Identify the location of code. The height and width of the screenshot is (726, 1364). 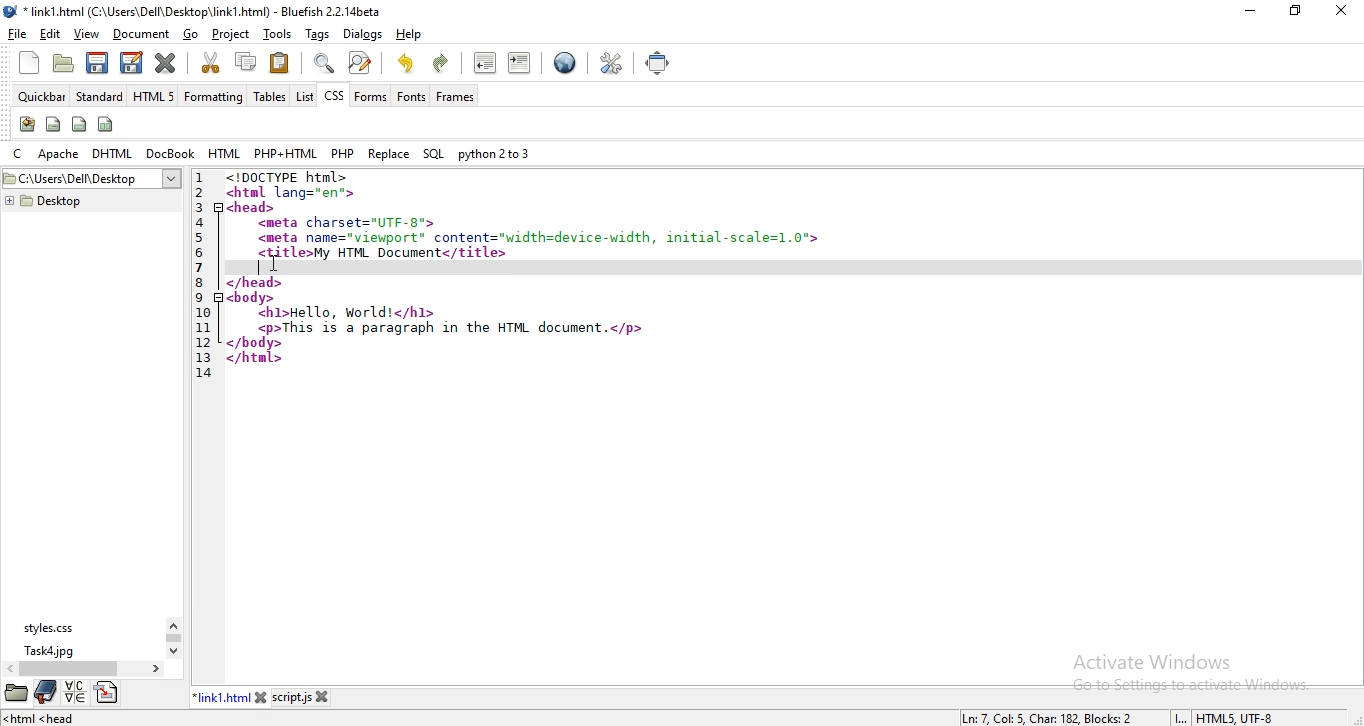
(527, 214).